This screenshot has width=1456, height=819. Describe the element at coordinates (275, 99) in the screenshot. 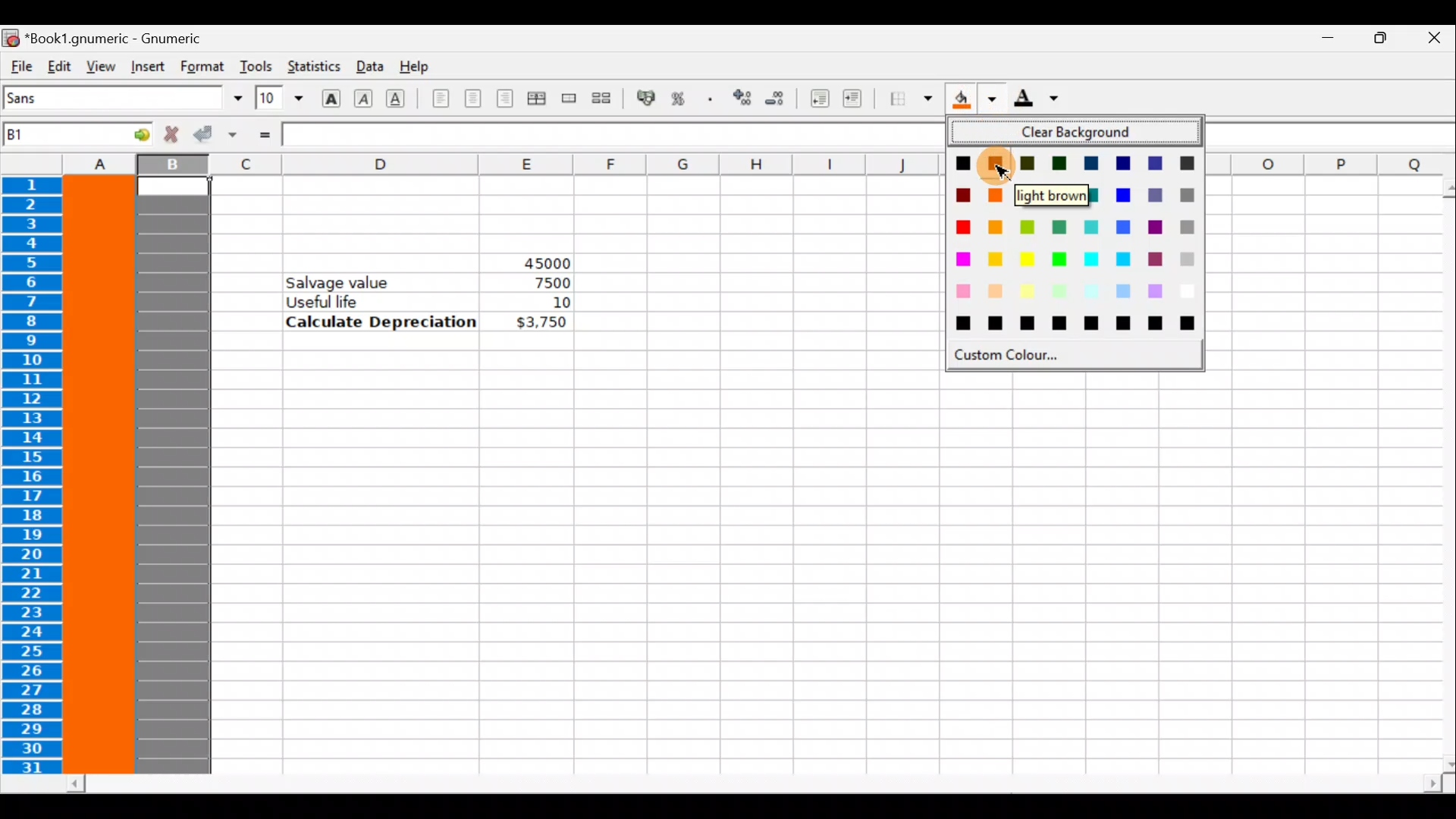

I see `Font size 10` at that location.